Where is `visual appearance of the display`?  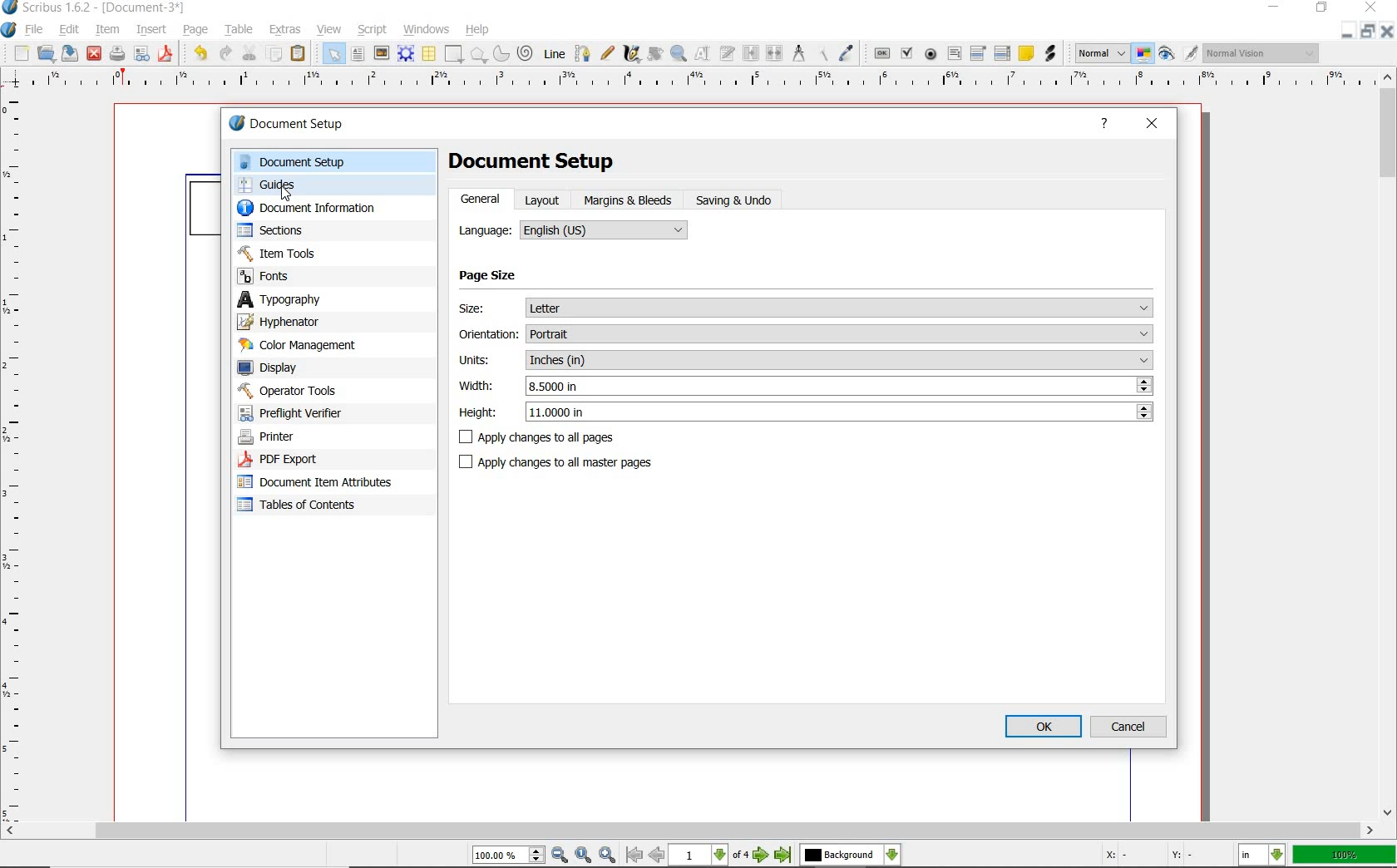
visual appearance of the display is located at coordinates (1262, 54).